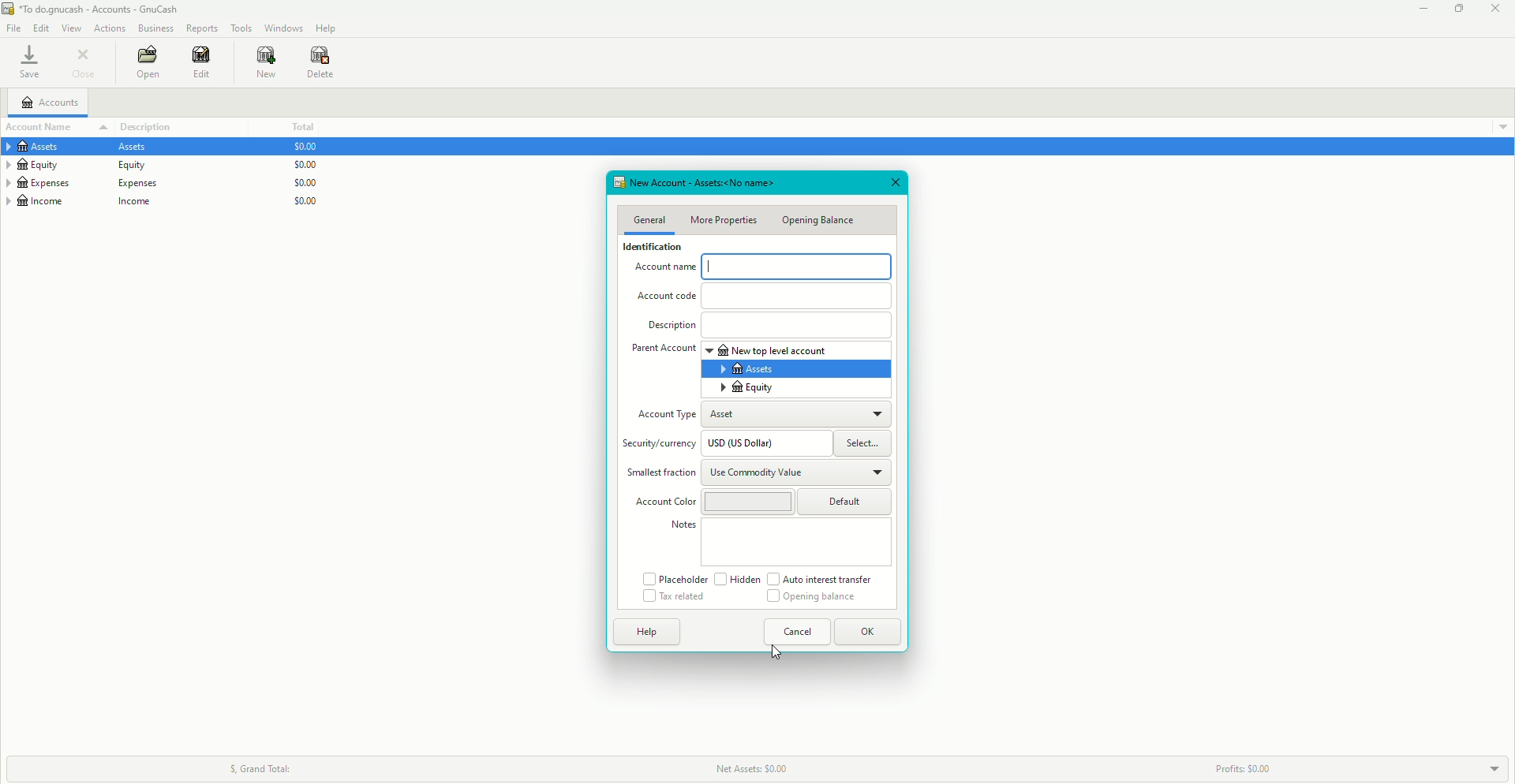 The image size is (1515, 784). I want to click on Equity, so click(749, 388).